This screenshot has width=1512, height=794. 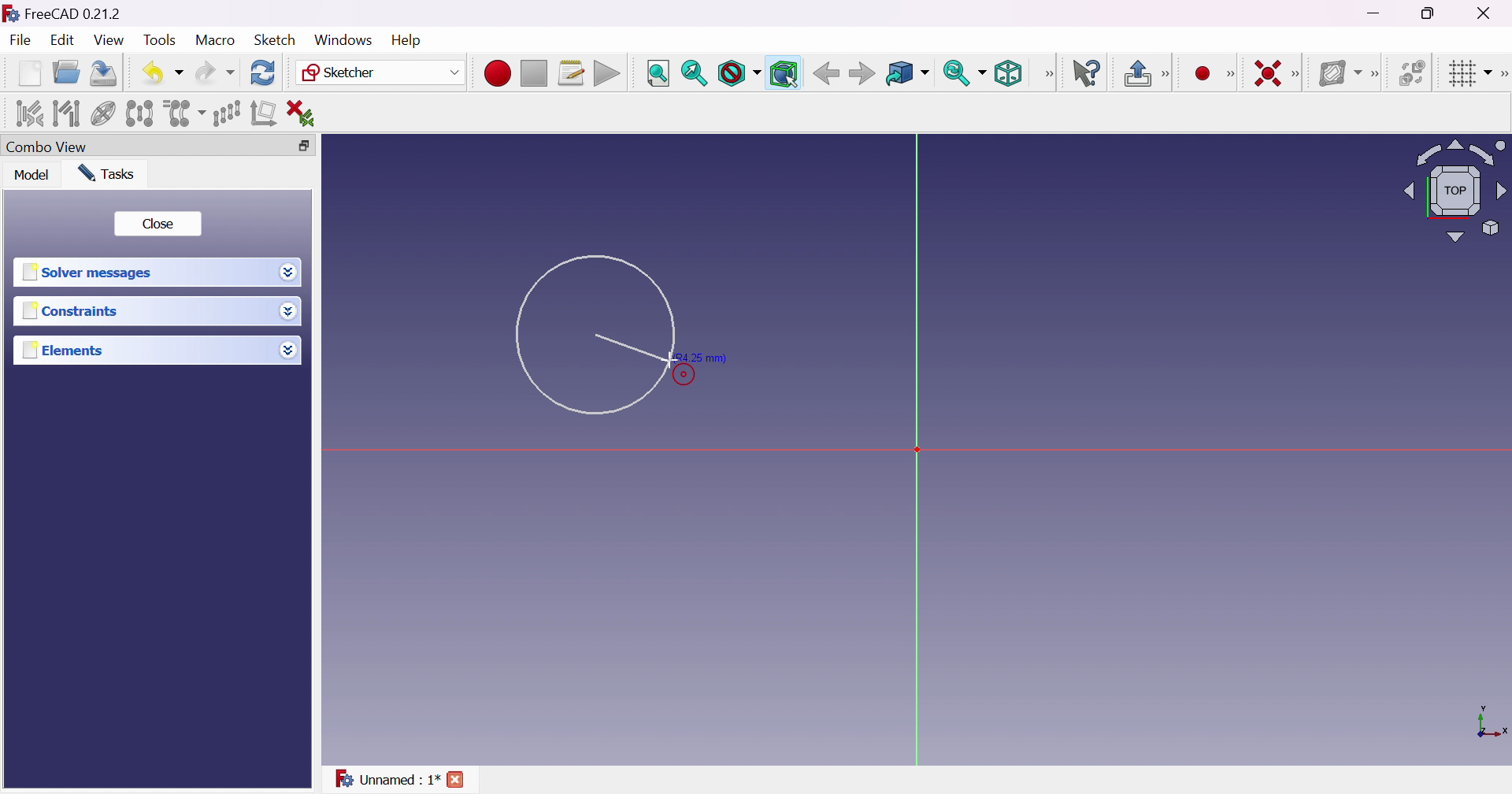 I want to click on New, so click(x=28, y=73).